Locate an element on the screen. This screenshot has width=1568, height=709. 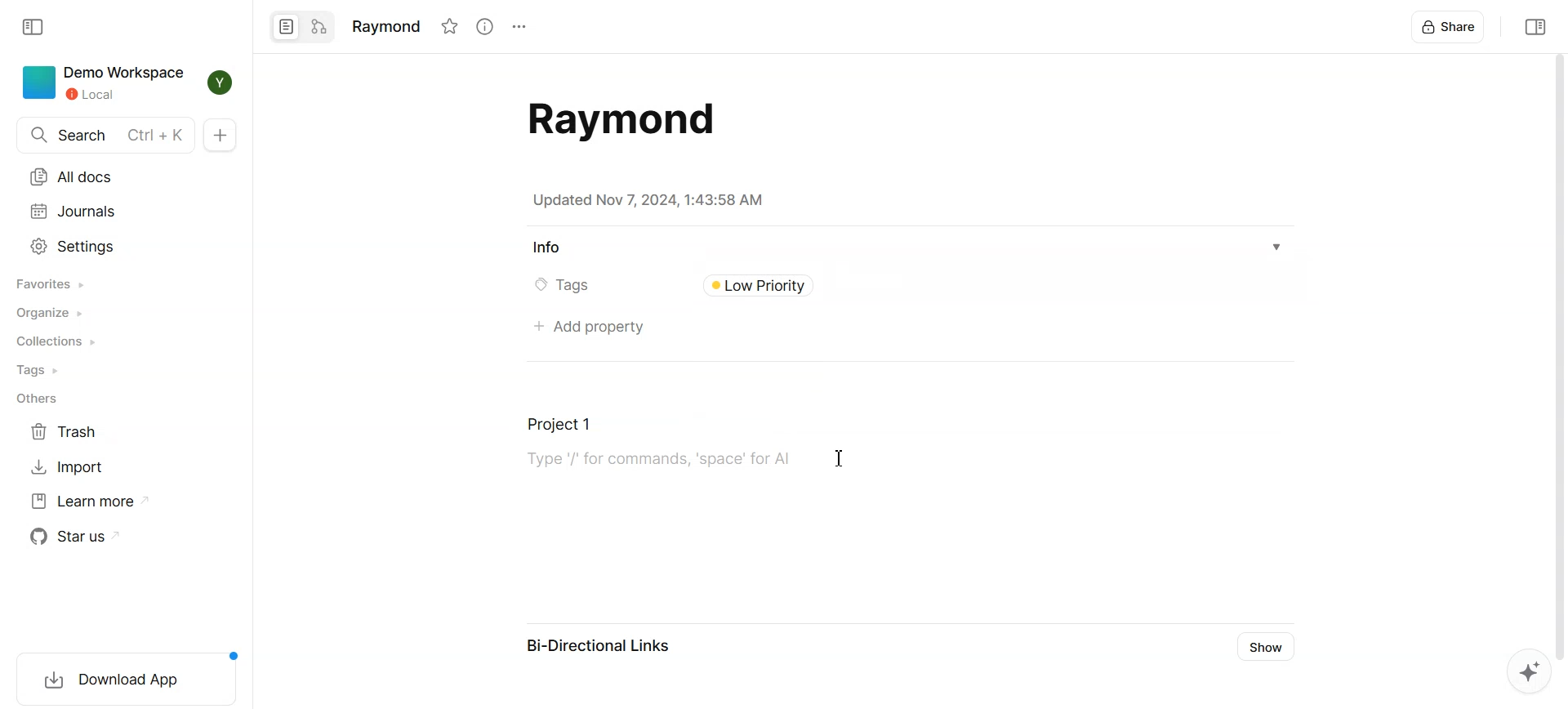
Star us is located at coordinates (79, 536).